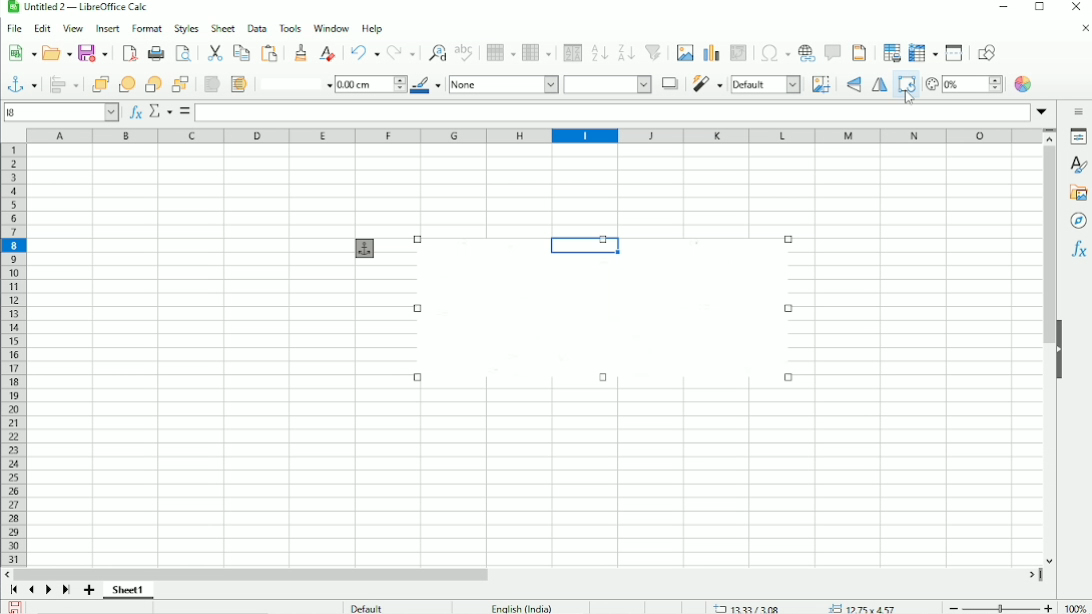  I want to click on Shadow, so click(670, 84).